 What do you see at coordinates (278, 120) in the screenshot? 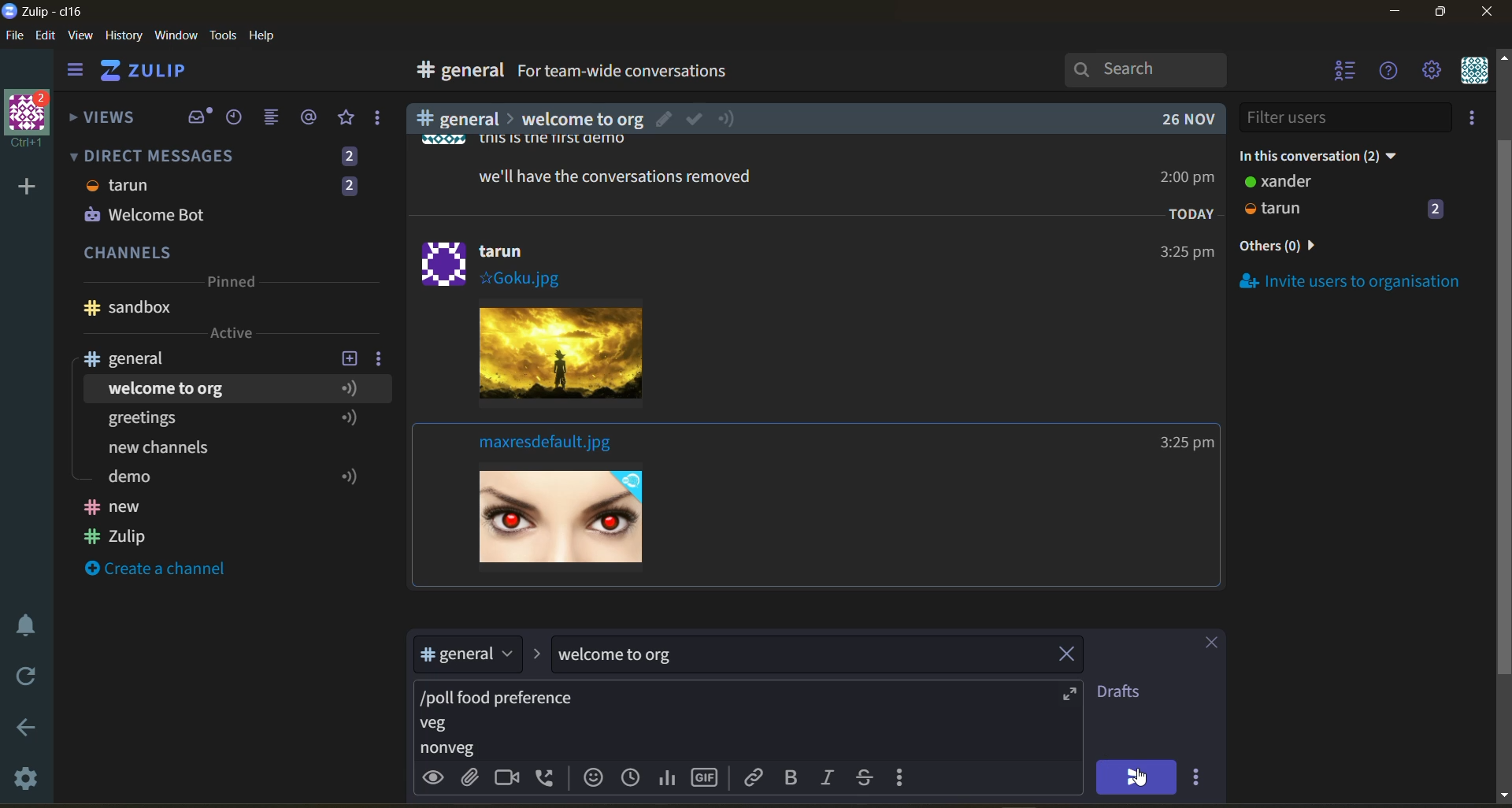
I see `combined feed` at bounding box center [278, 120].